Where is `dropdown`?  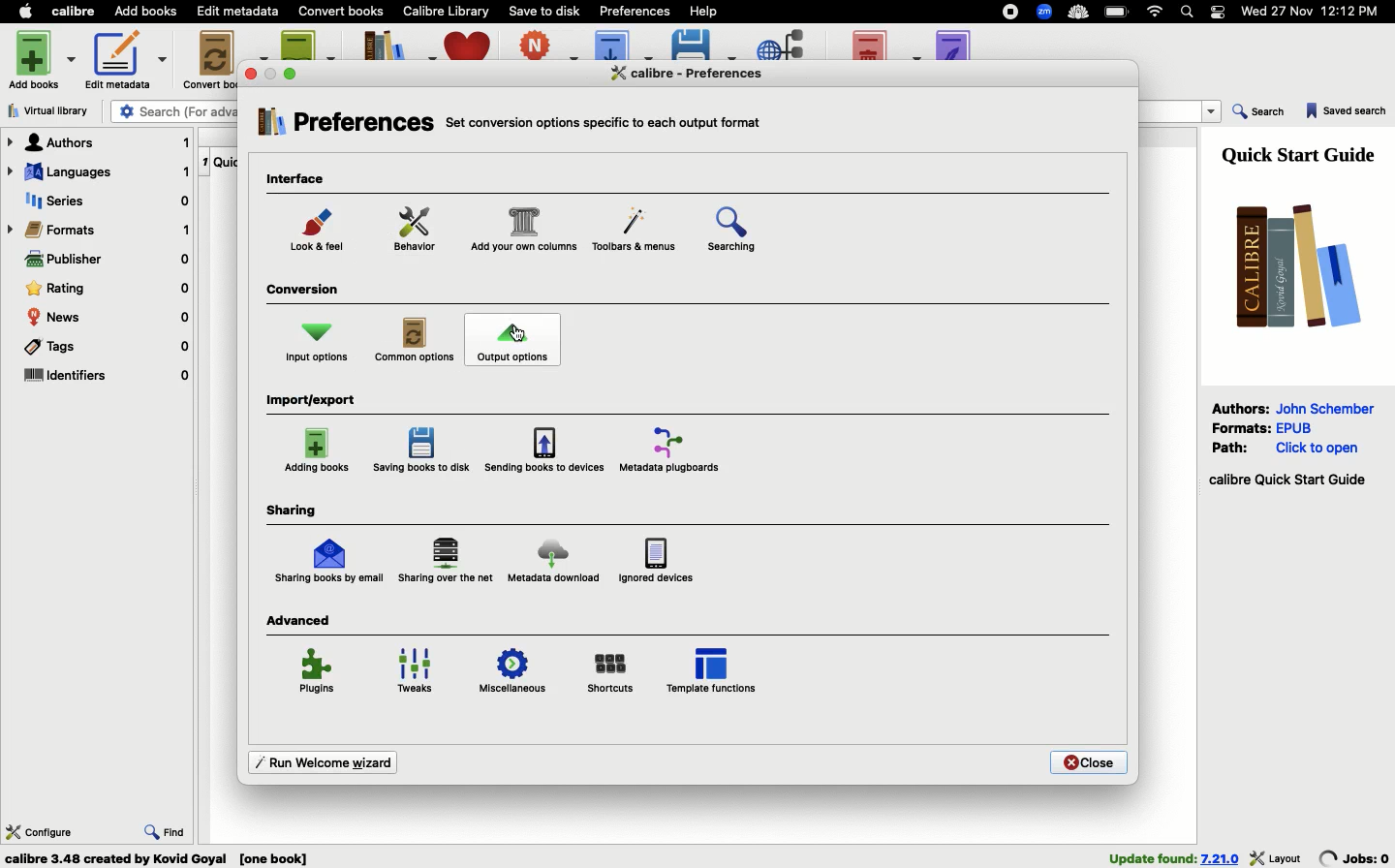
dropdown is located at coordinates (1213, 112).